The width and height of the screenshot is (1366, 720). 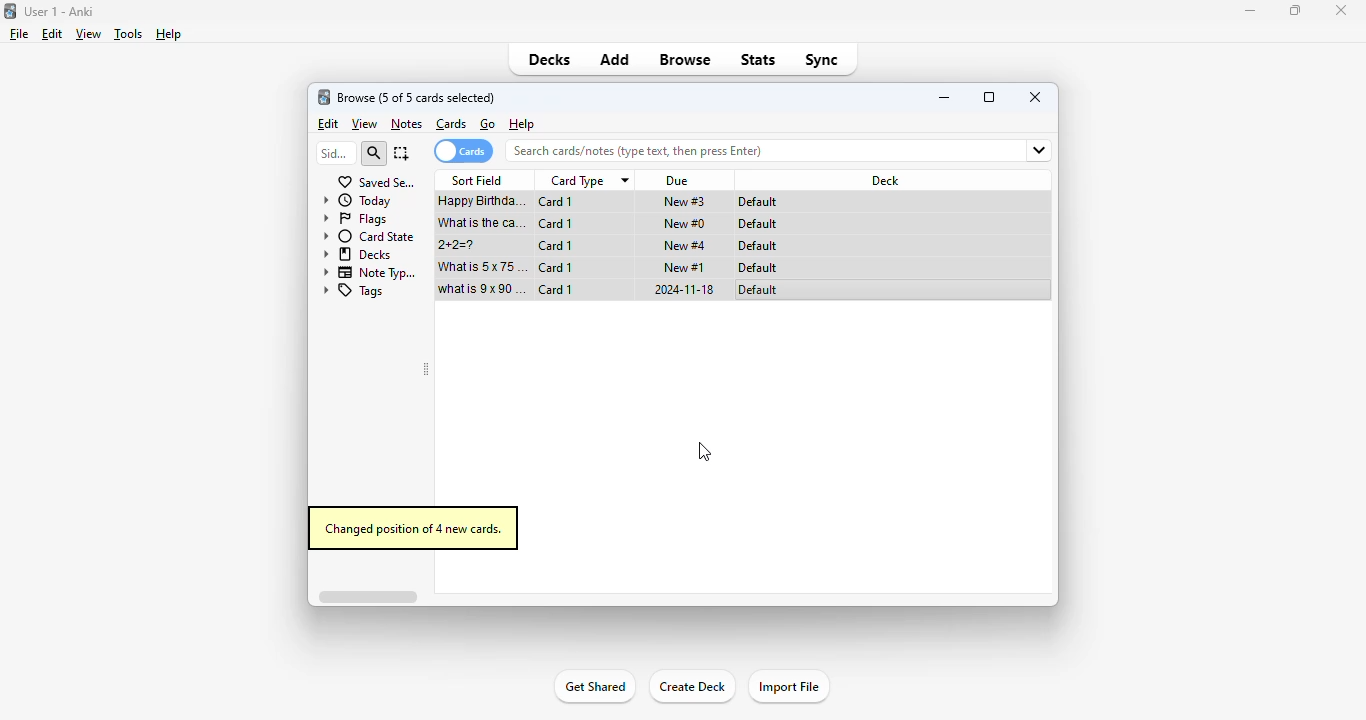 What do you see at coordinates (53, 34) in the screenshot?
I see `edit` at bounding box center [53, 34].